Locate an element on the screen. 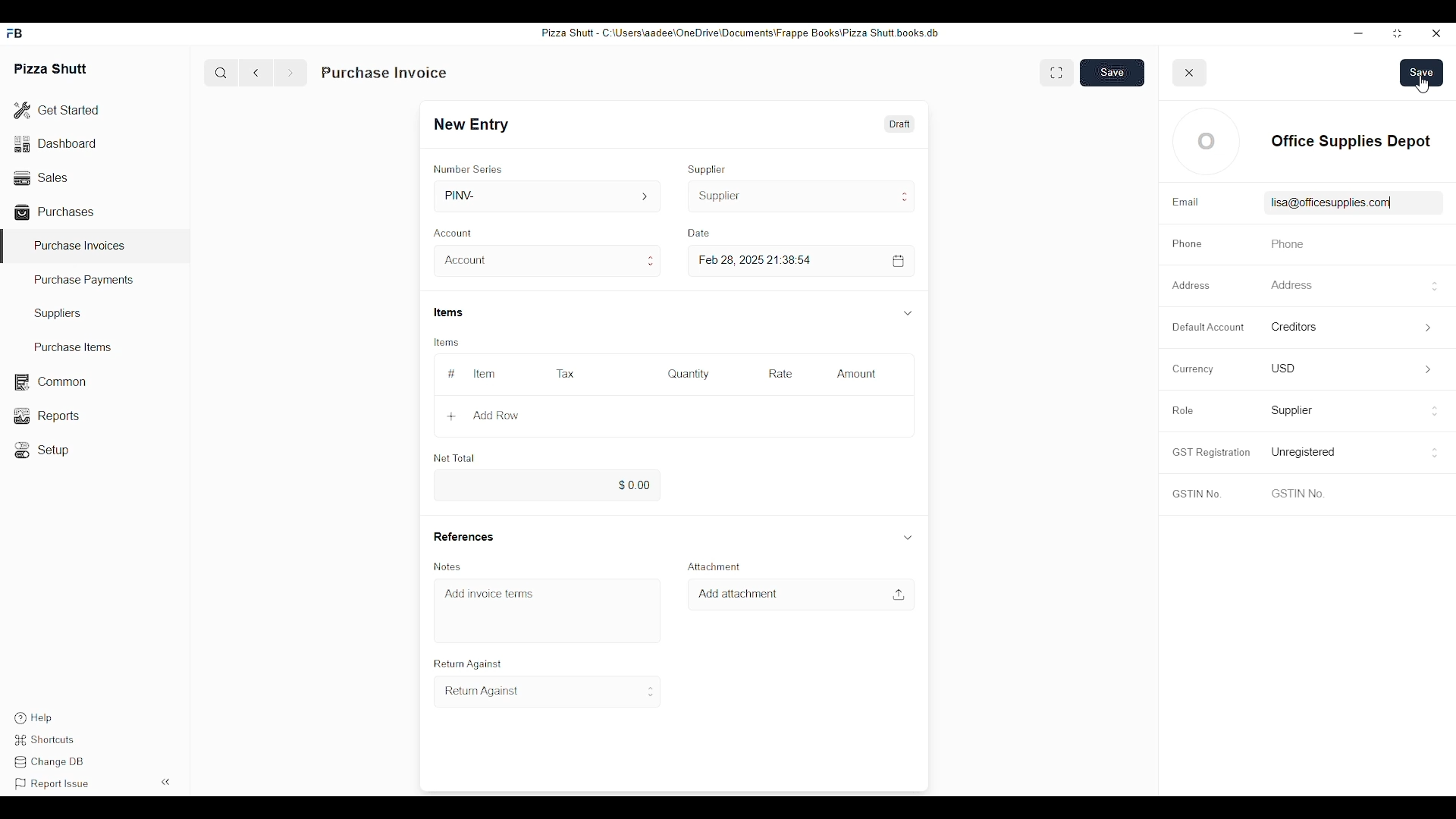 The image size is (1456, 819). down is located at coordinates (908, 536).